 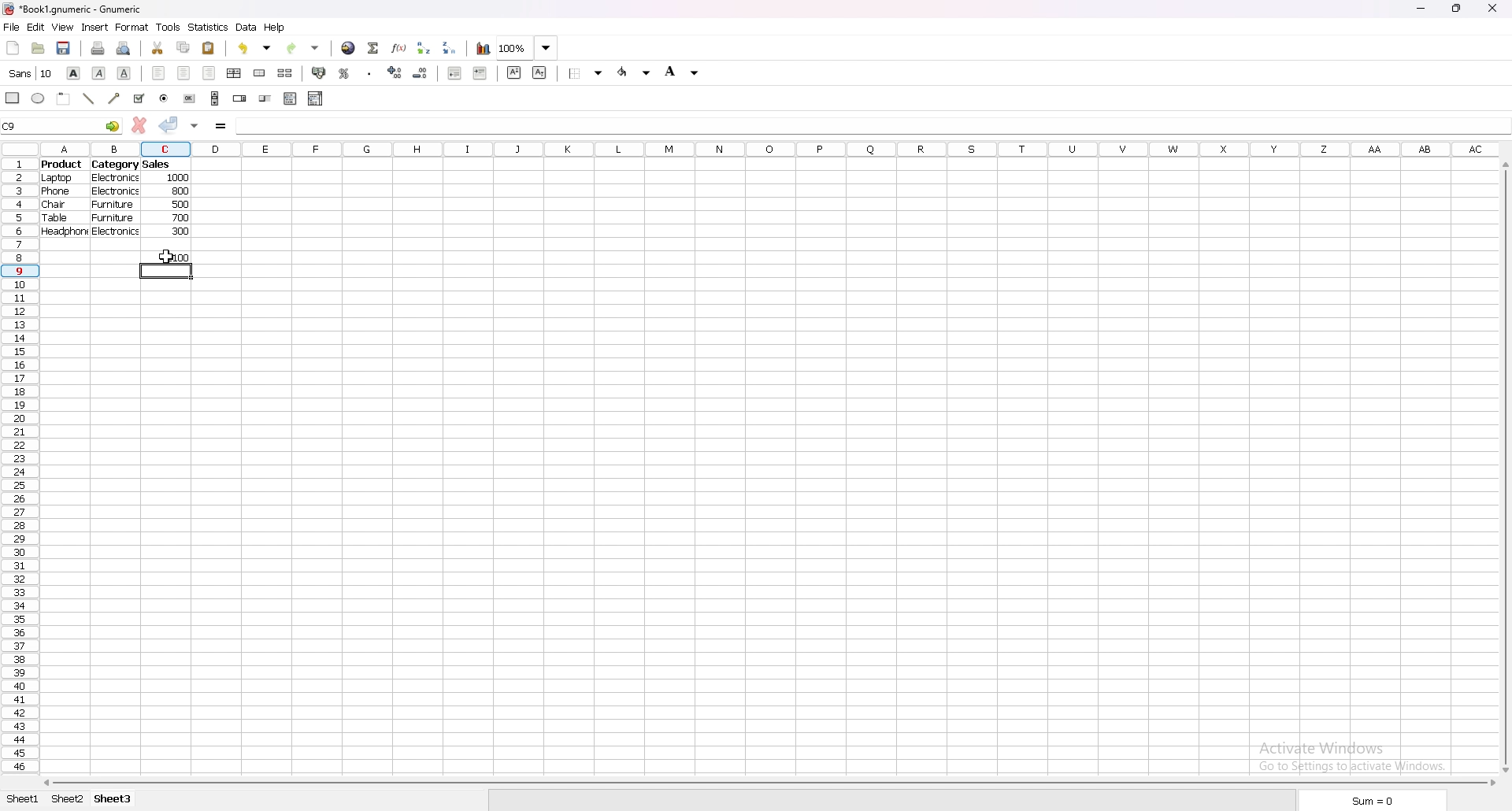 I want to click on undo, so click(x=254, y=47).